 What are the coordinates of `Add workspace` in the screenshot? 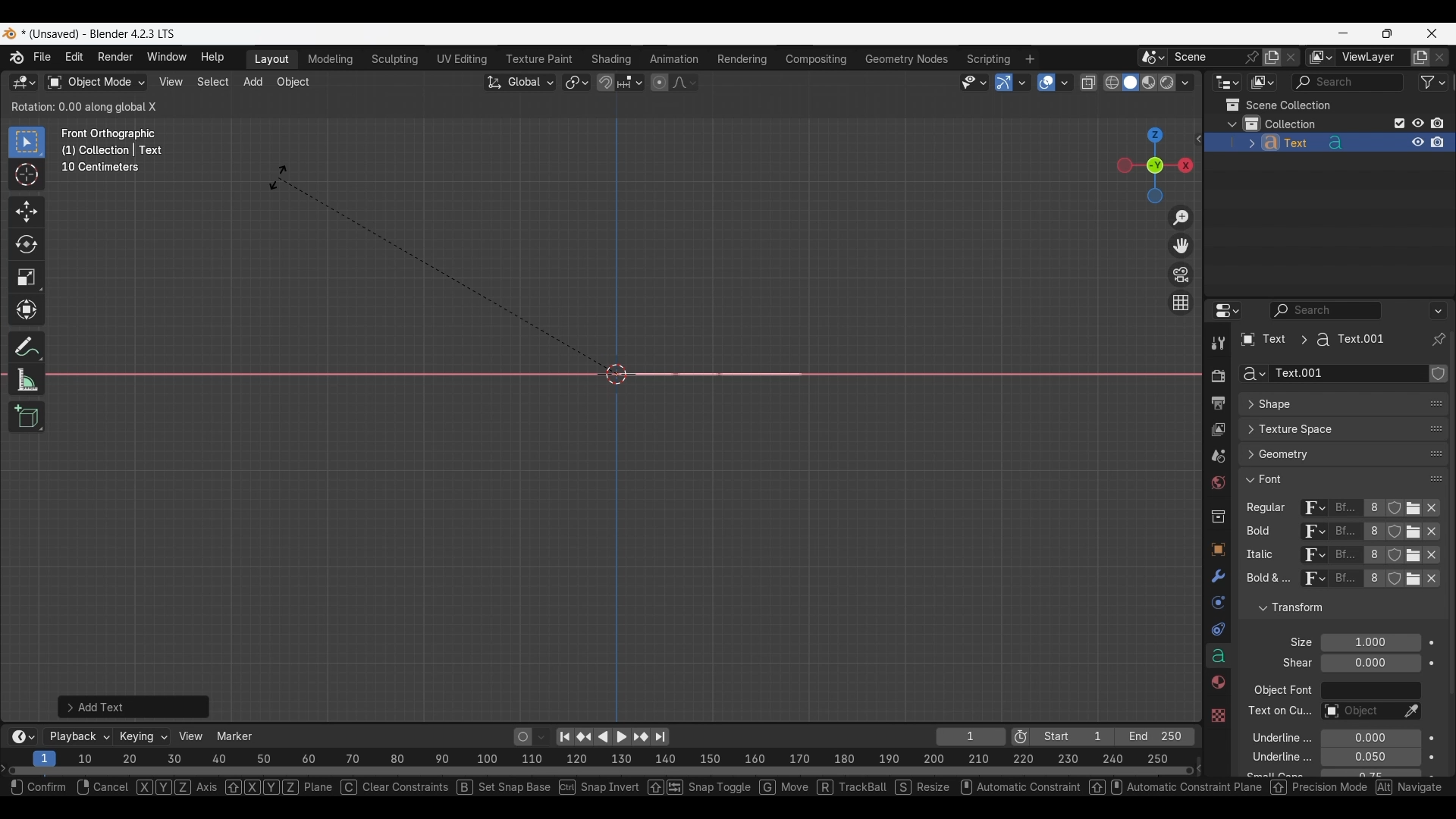 It's located at (1029, 59).